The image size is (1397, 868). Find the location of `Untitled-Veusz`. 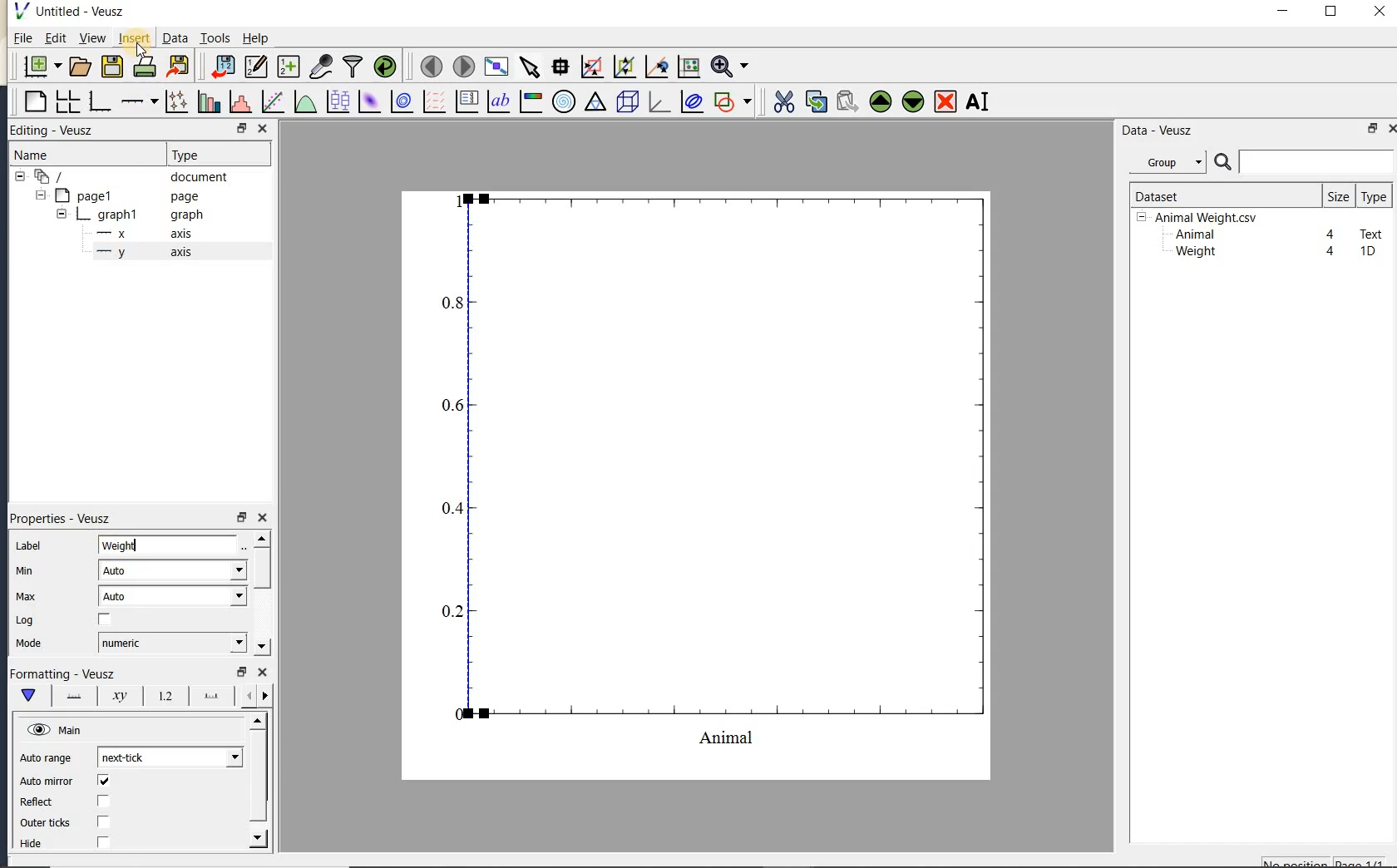

Untitled-Veusz is located at coordinates (74, 12).